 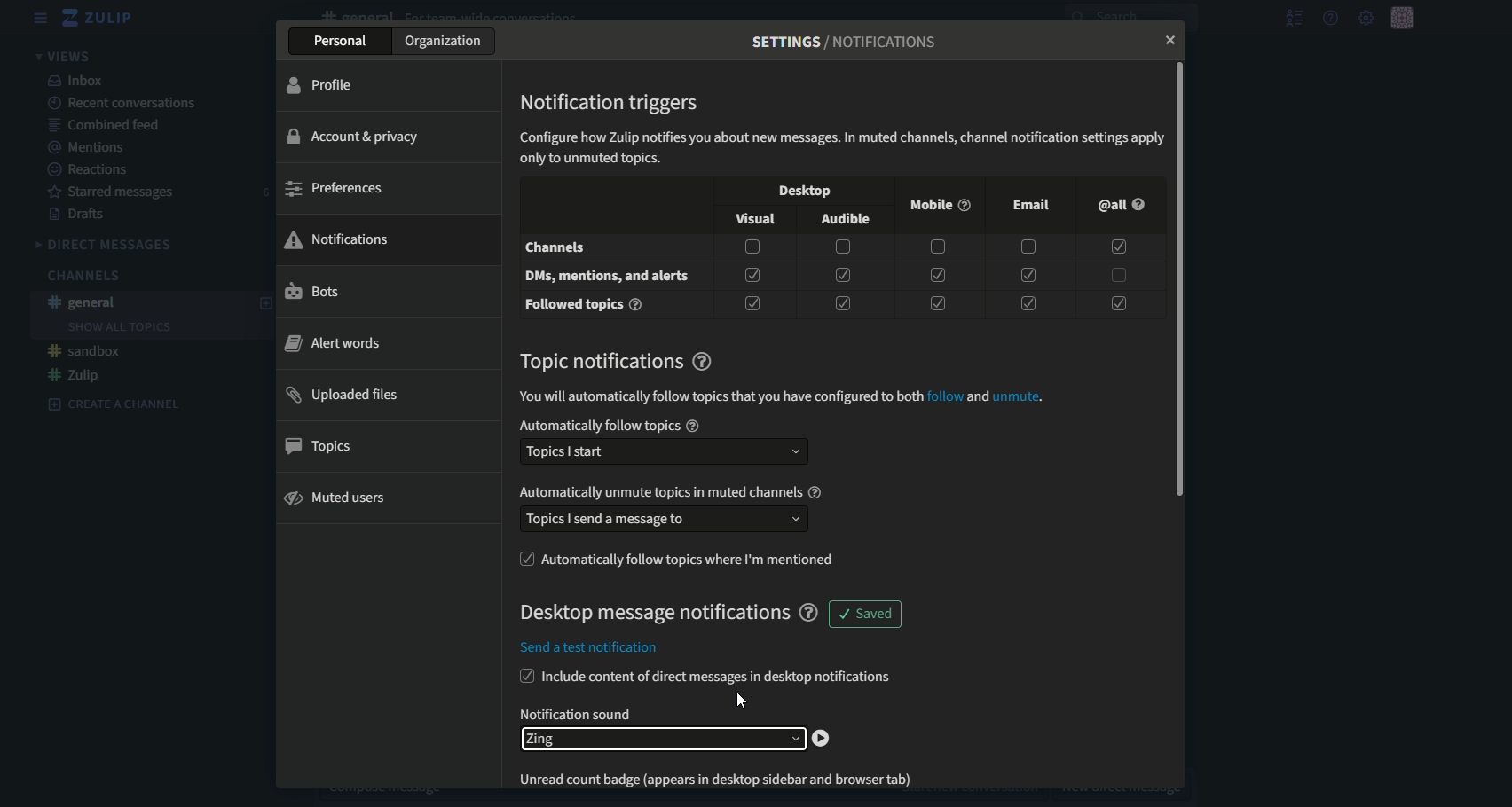 What do you see at coordinates (75, 375) in the screenshot?
I see `#Zulip` at bounding box center [75, 375].